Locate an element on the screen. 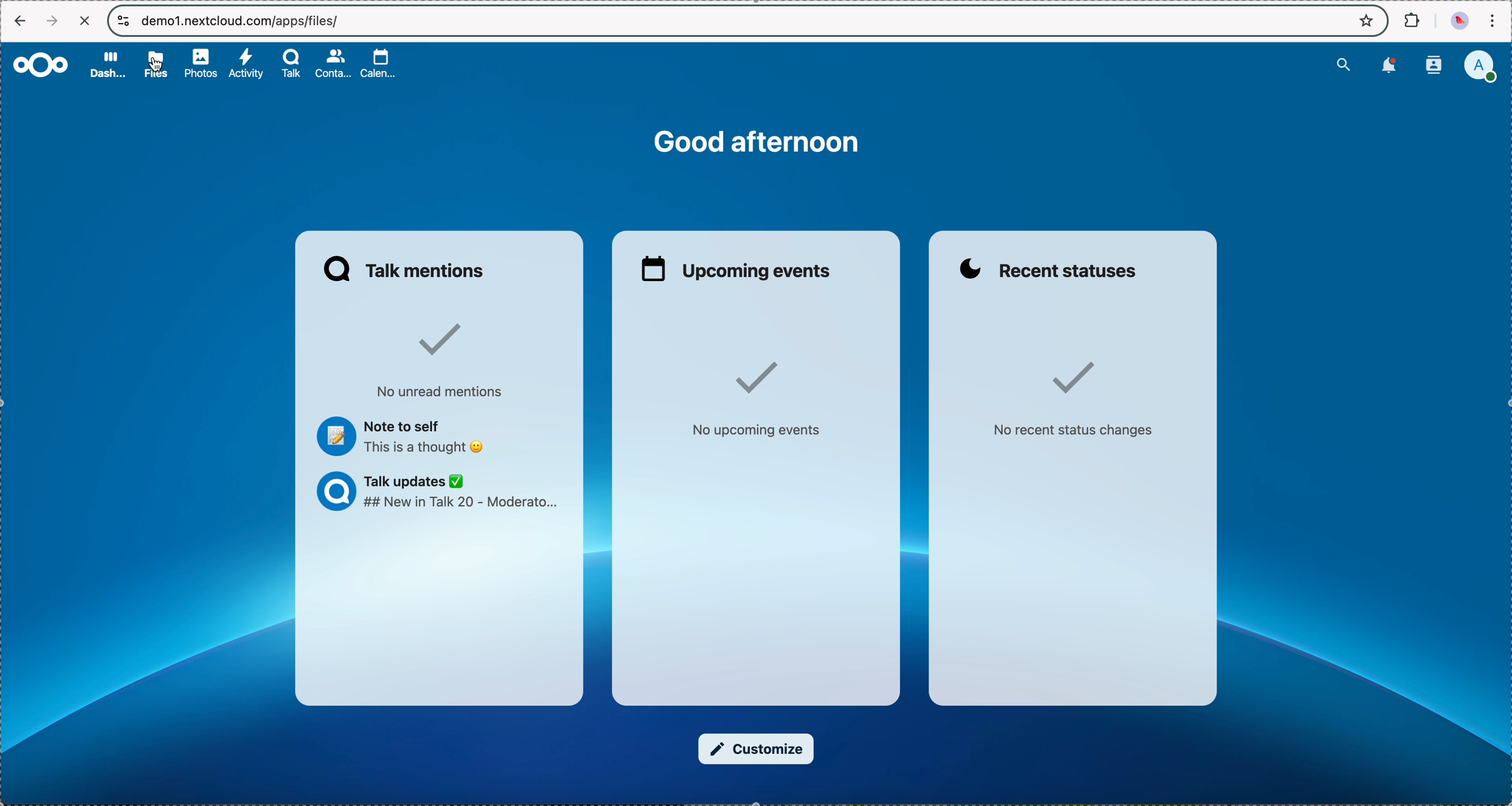  Talk mentions is located at coordinates (404, 268).